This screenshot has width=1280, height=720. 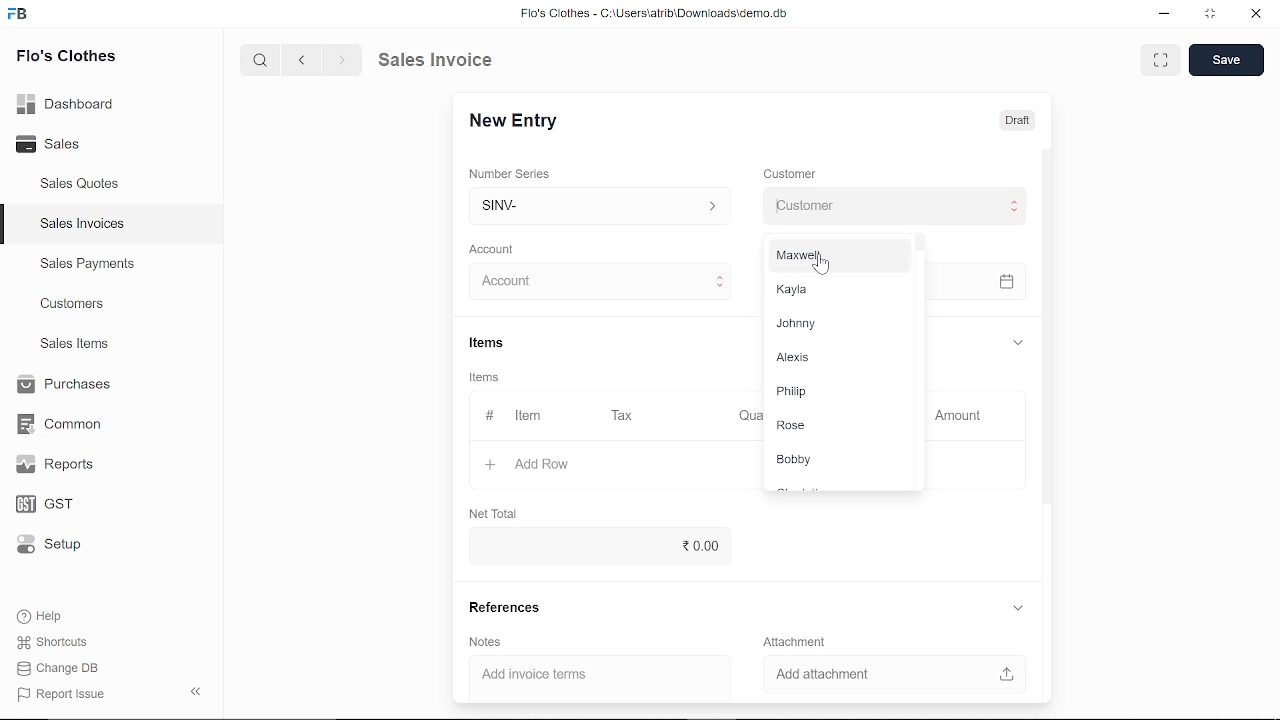 I want to click on Sales, so click(x=57, y=142).